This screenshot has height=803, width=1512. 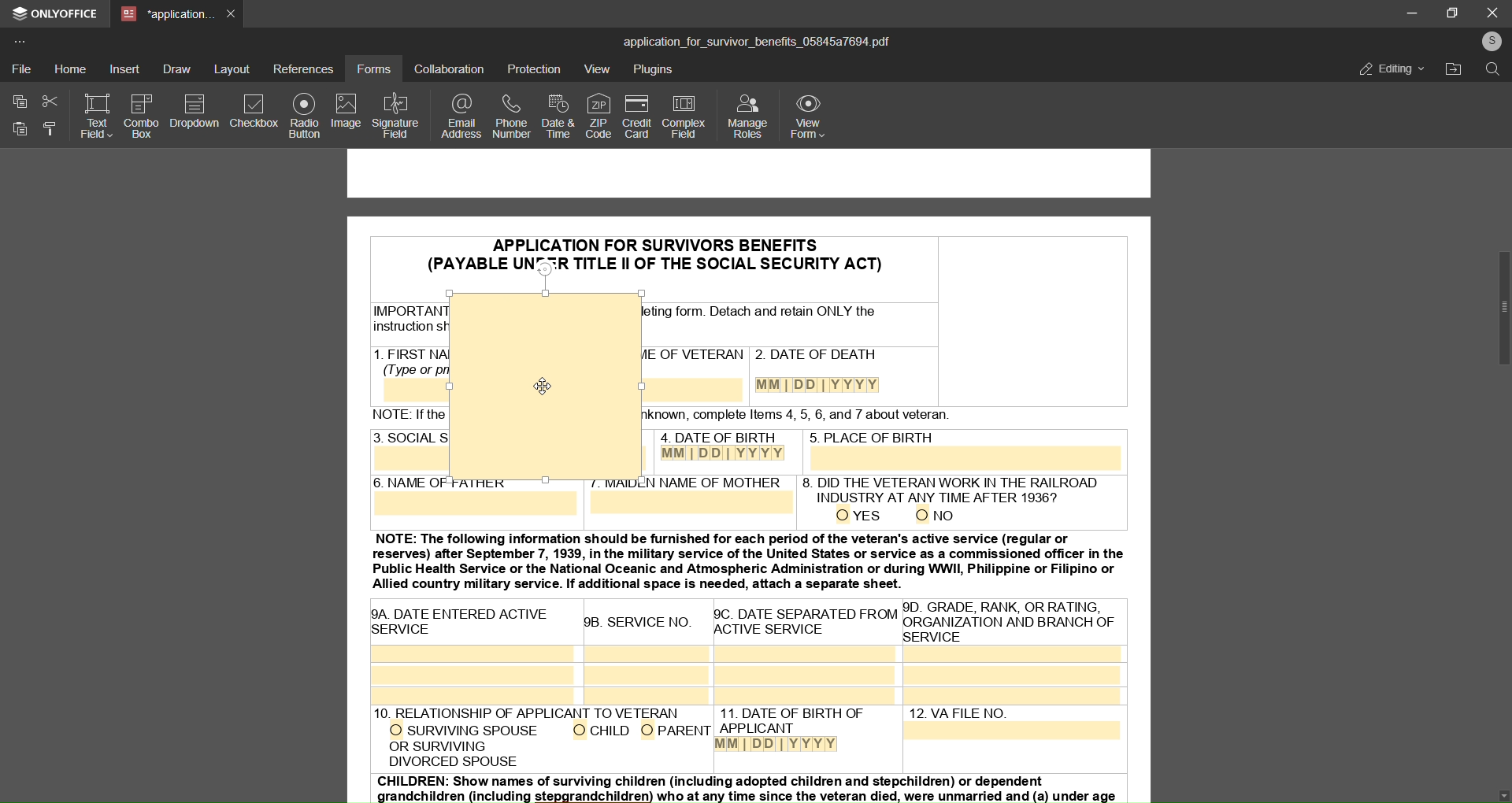 I want to click on close, so click(x=1492, y=12).